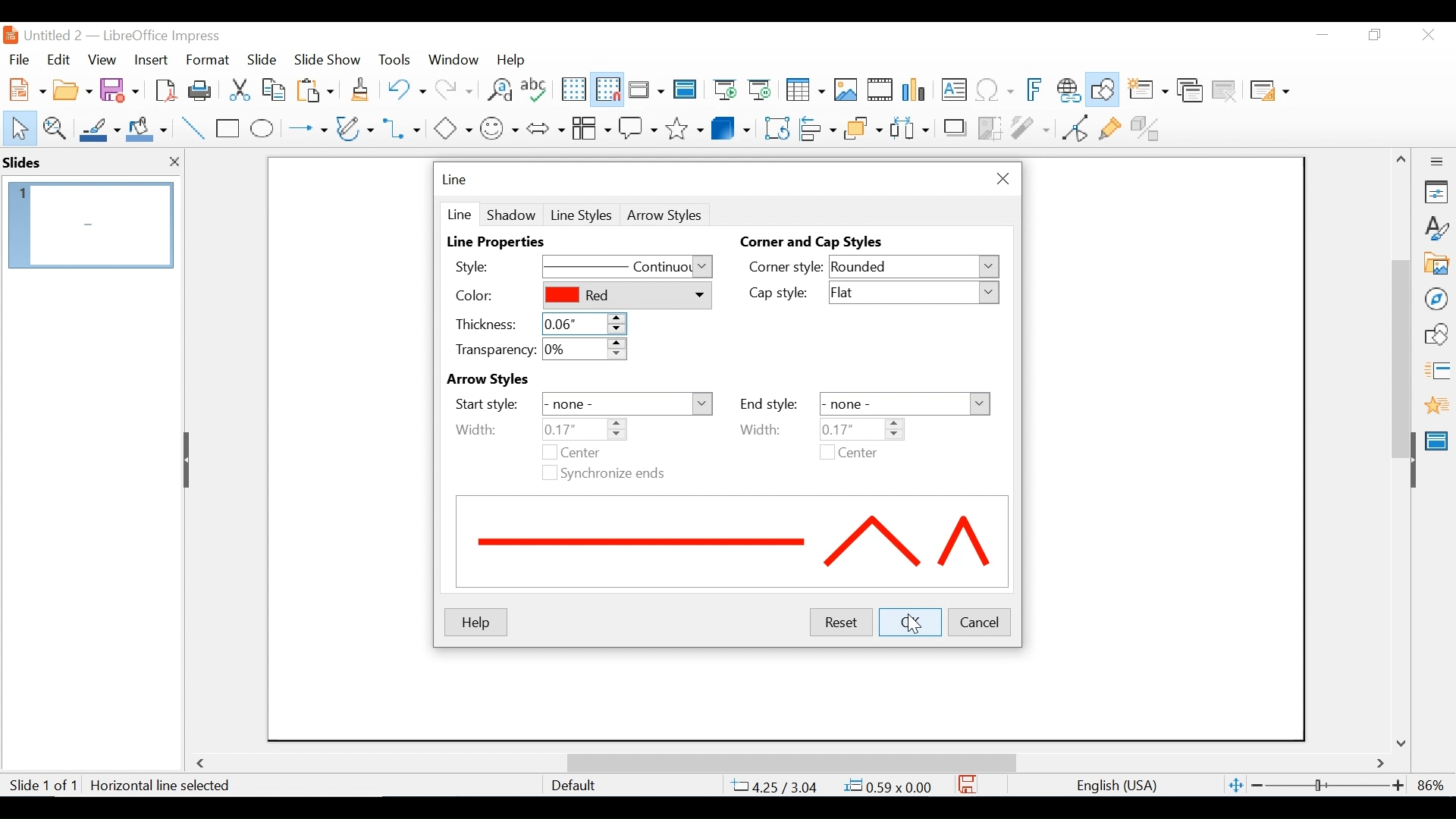  What do you see at coordinates (319, 89) in the screenshot?
I see `Paste` at bounding box center [319, 89].